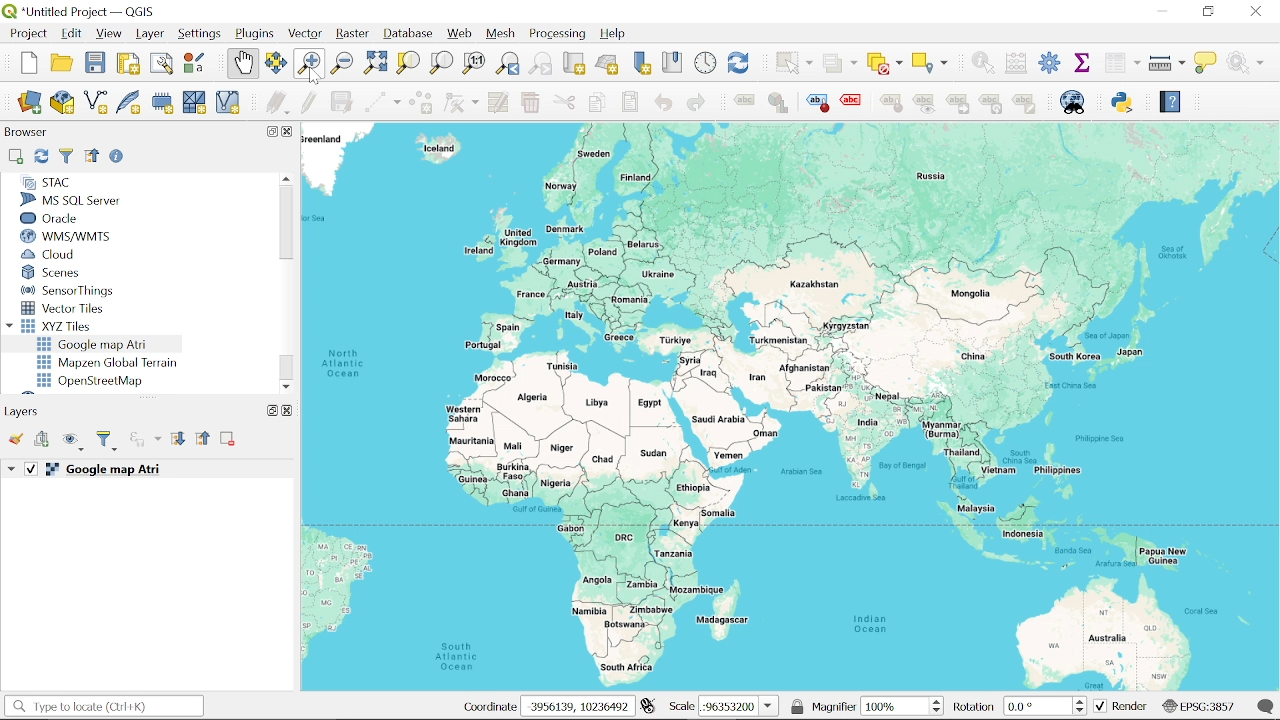 Image resolution: width=1280 pixels, height=720 pixels. What do you see at coordinates (228, 104) in the screenshot?
I see `New virtual layer` at bounding box center [228, 104].